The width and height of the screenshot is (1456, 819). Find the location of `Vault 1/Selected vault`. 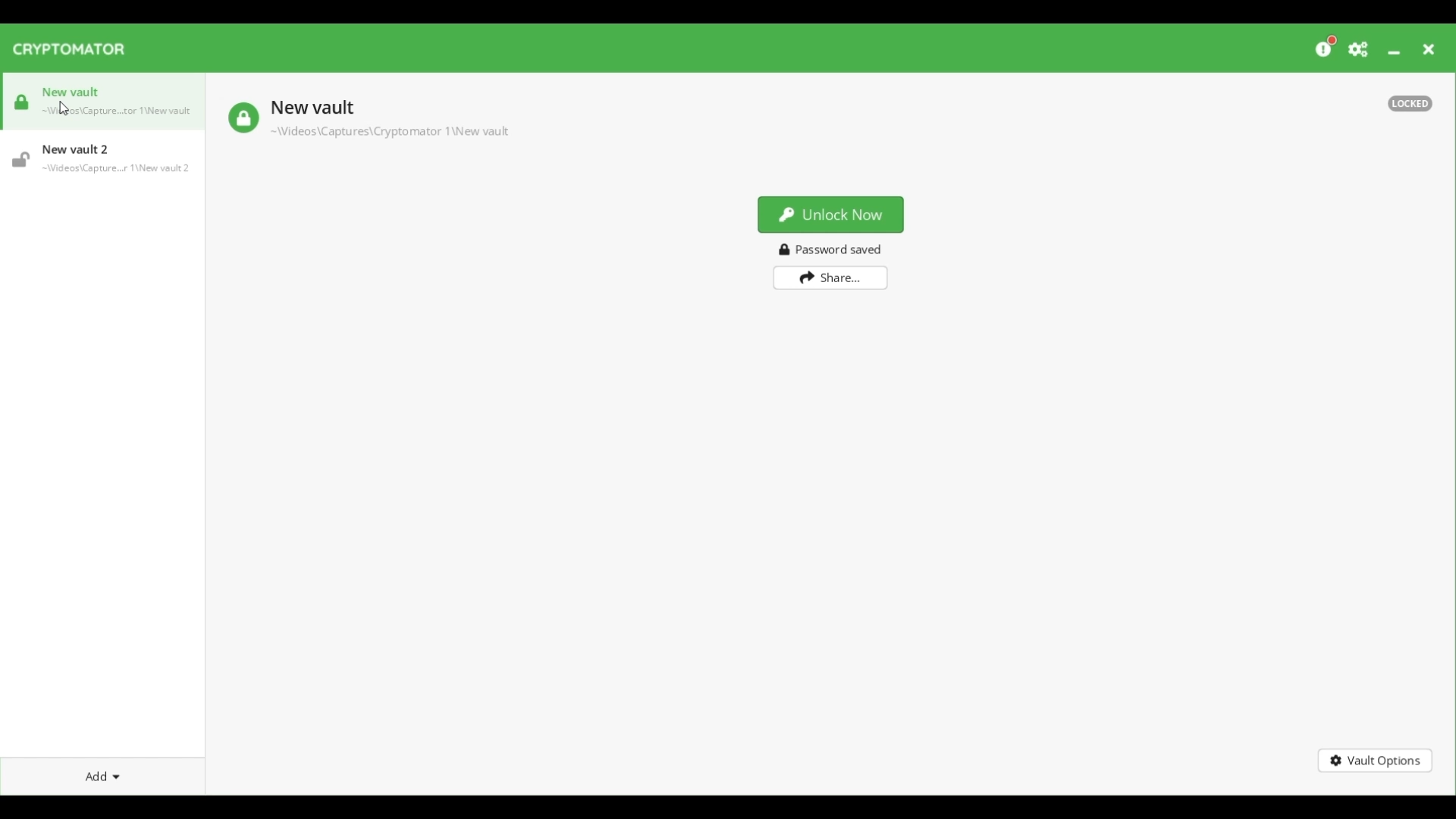

Vault 1/Selected vault is located at coordinates (104, 106).